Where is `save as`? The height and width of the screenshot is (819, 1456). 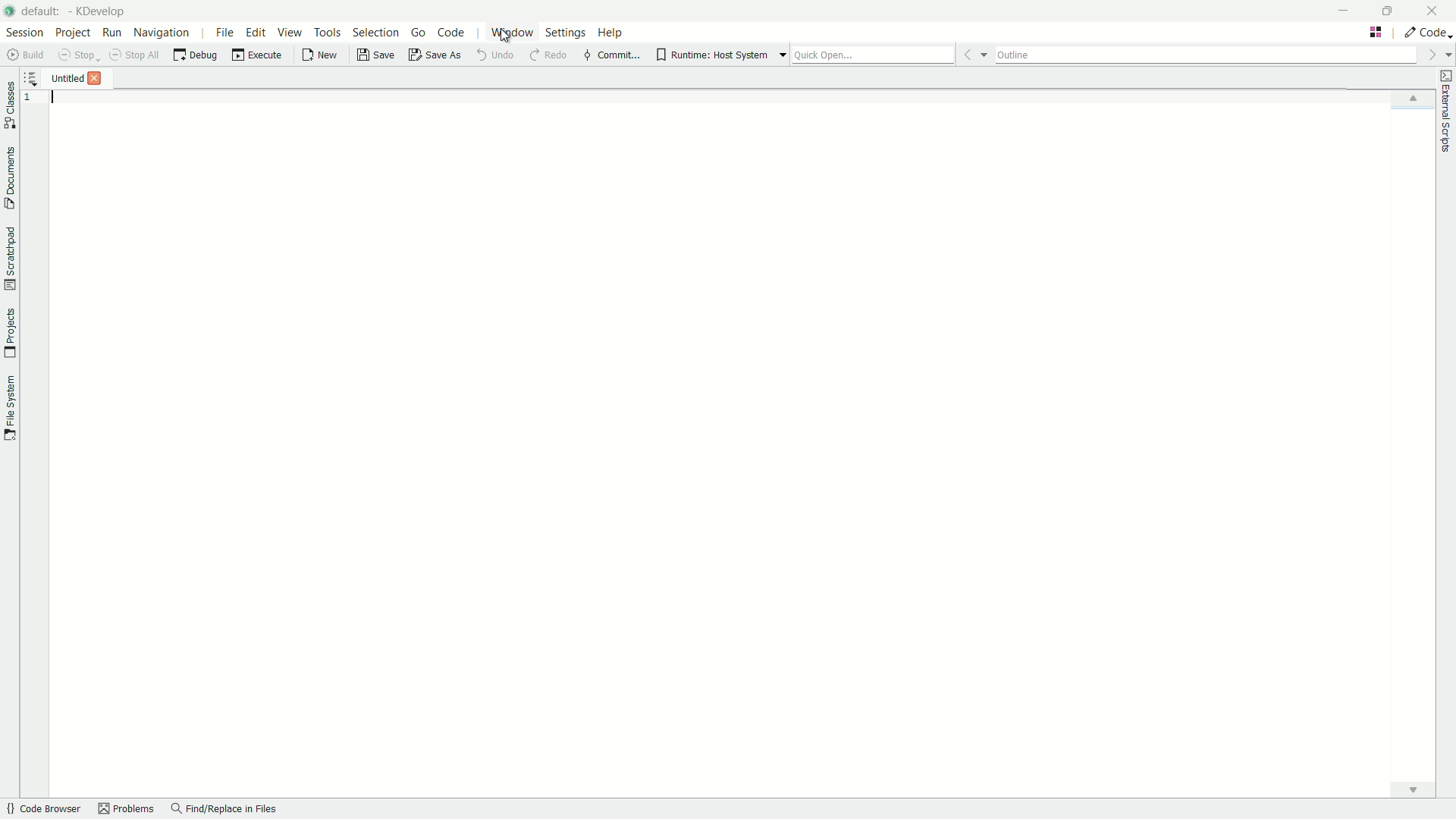 save as is located at coordinates (435, 54).